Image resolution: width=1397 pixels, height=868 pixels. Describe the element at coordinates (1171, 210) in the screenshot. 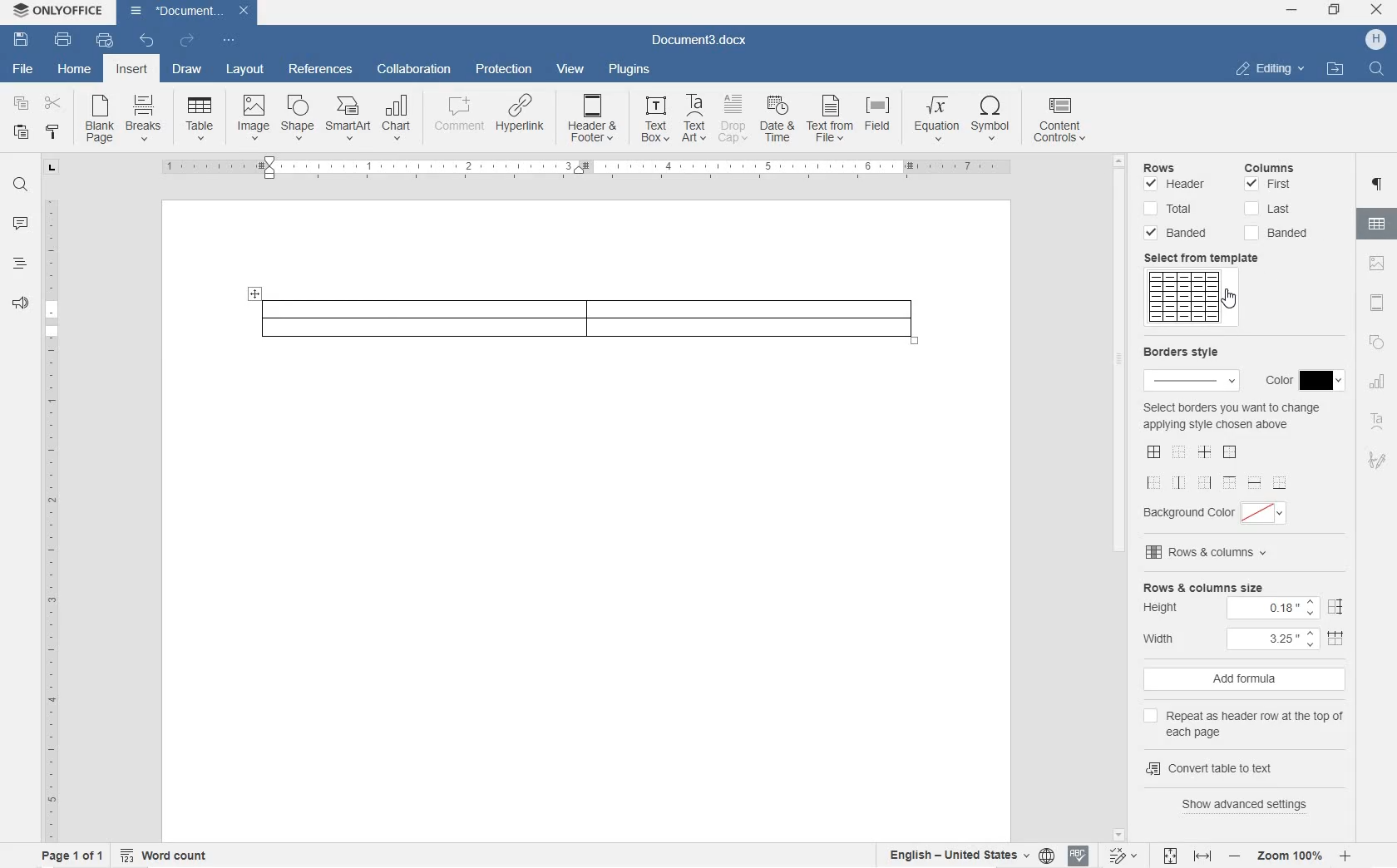

I see `Total` at that location.